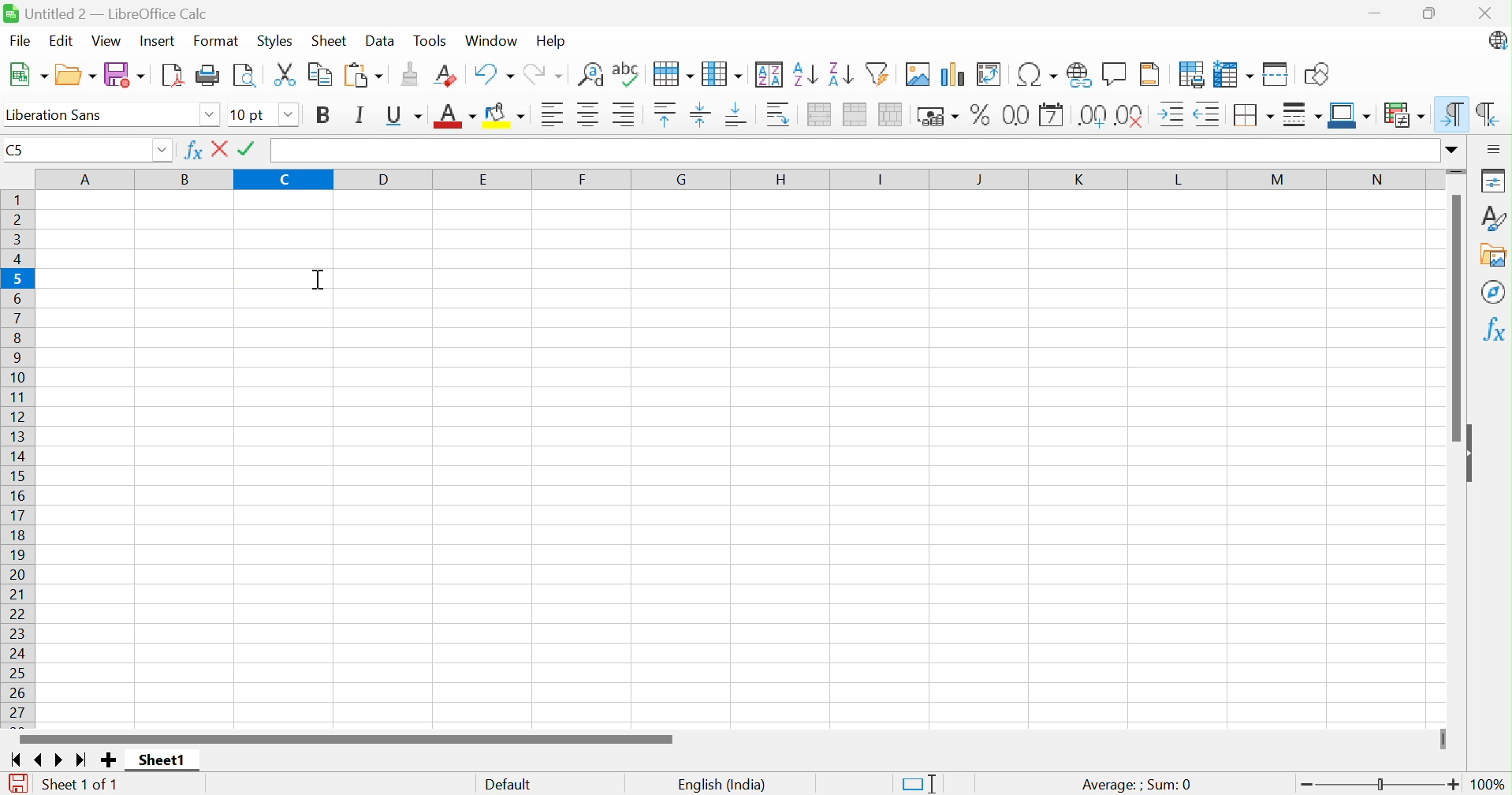 The image size is (1512, 795). What do you see at coordinates (1492, 179) in the screenshot?
I see `Properties` at bounding box center [1492, 179].